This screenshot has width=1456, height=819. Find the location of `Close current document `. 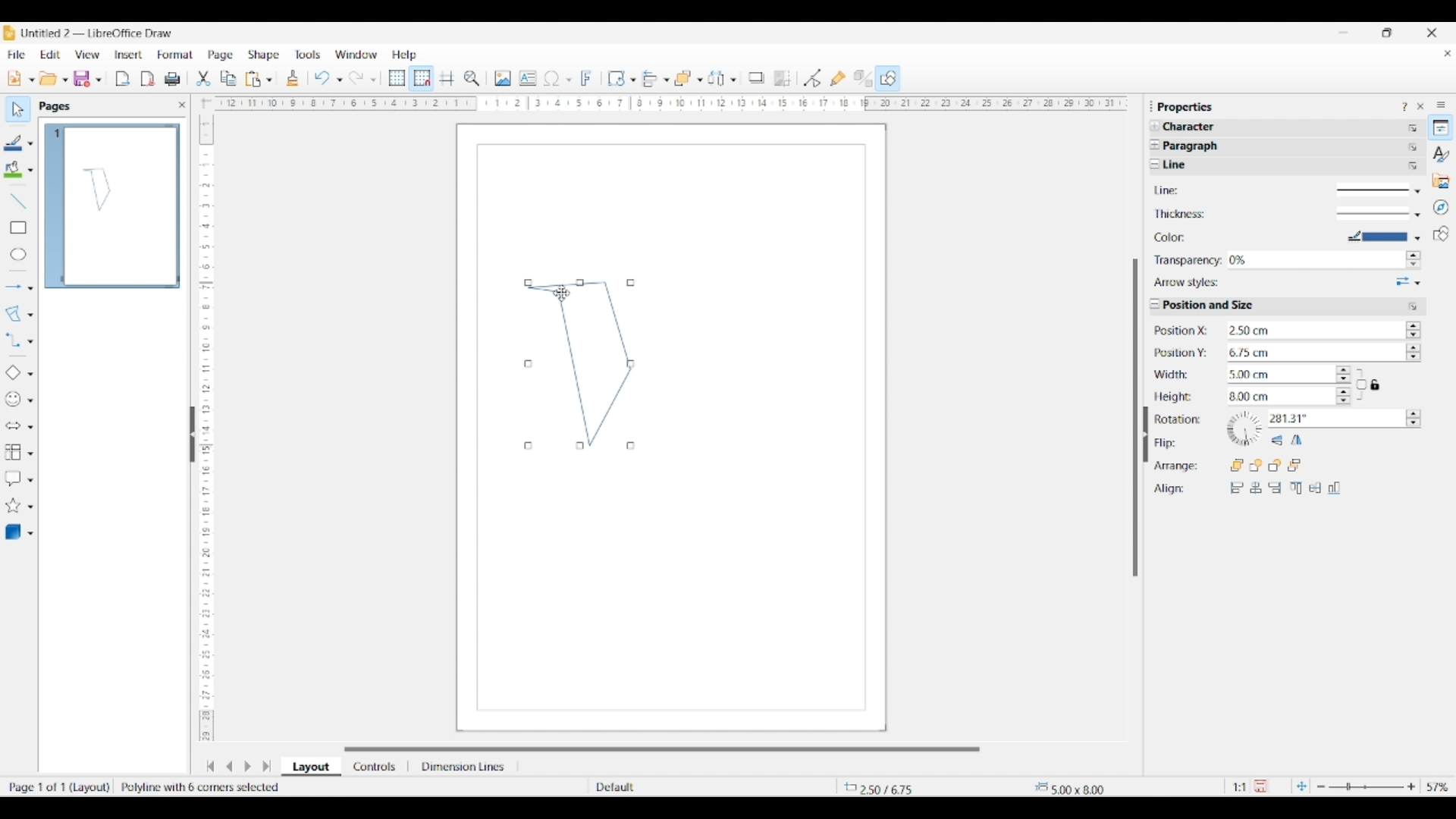

Close current document  is located at coordinates (1447, 54).